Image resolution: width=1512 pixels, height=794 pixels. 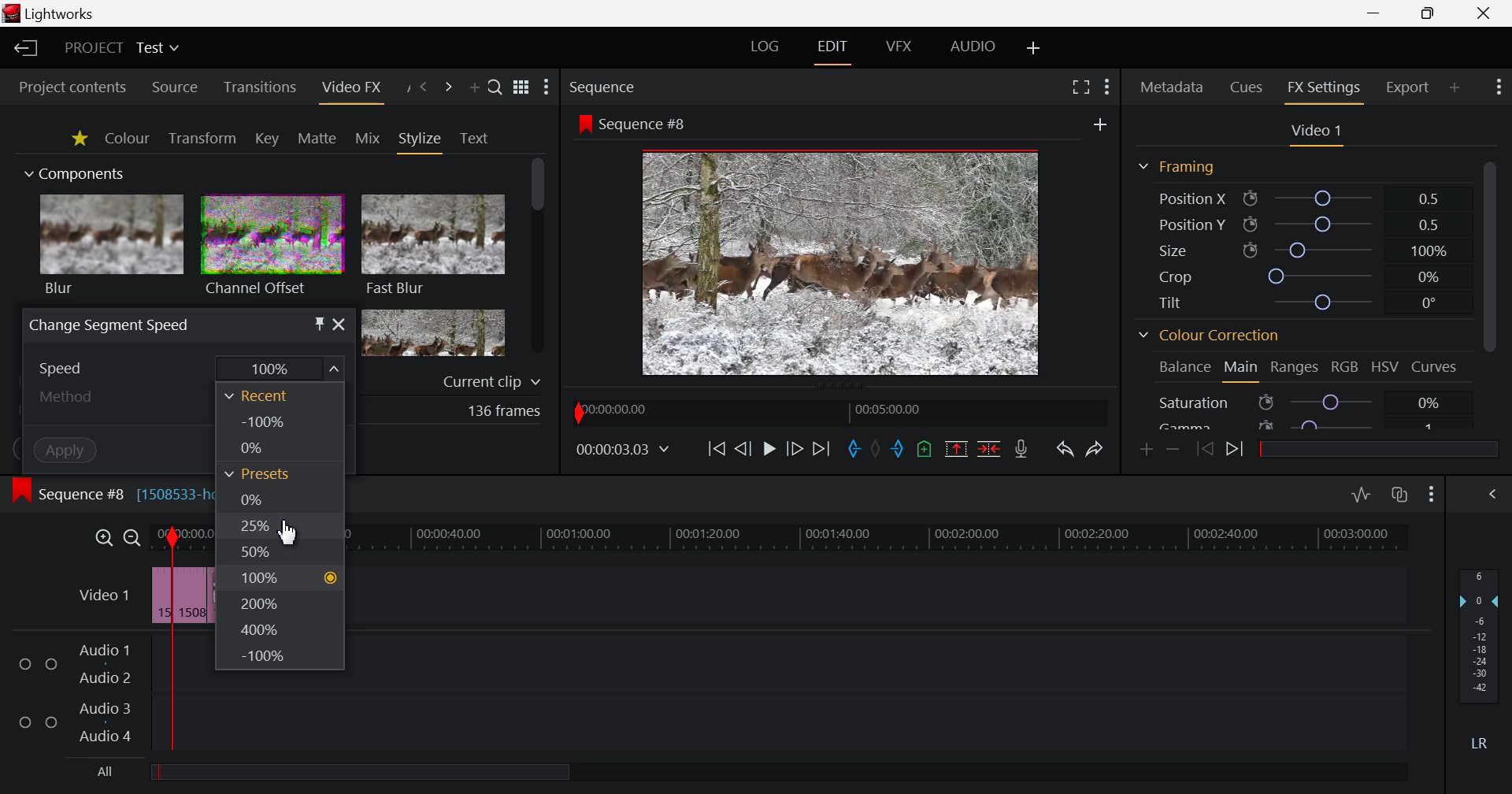 What do you see at coordinates (44, 448) in the screenshot?
I see `Apply` at bounding box center [44, 448].